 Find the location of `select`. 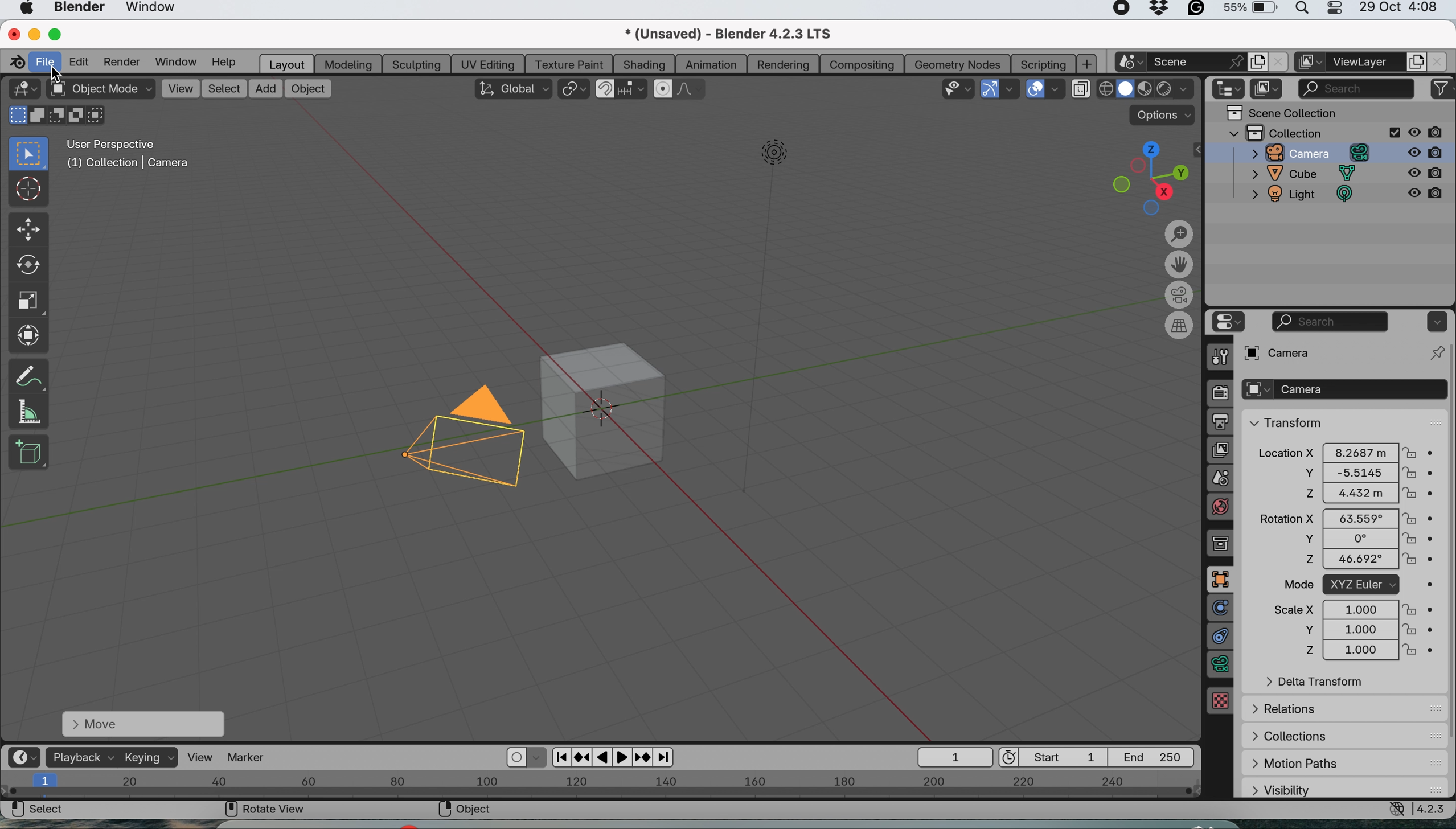

select is located at coordinates (37, 811).